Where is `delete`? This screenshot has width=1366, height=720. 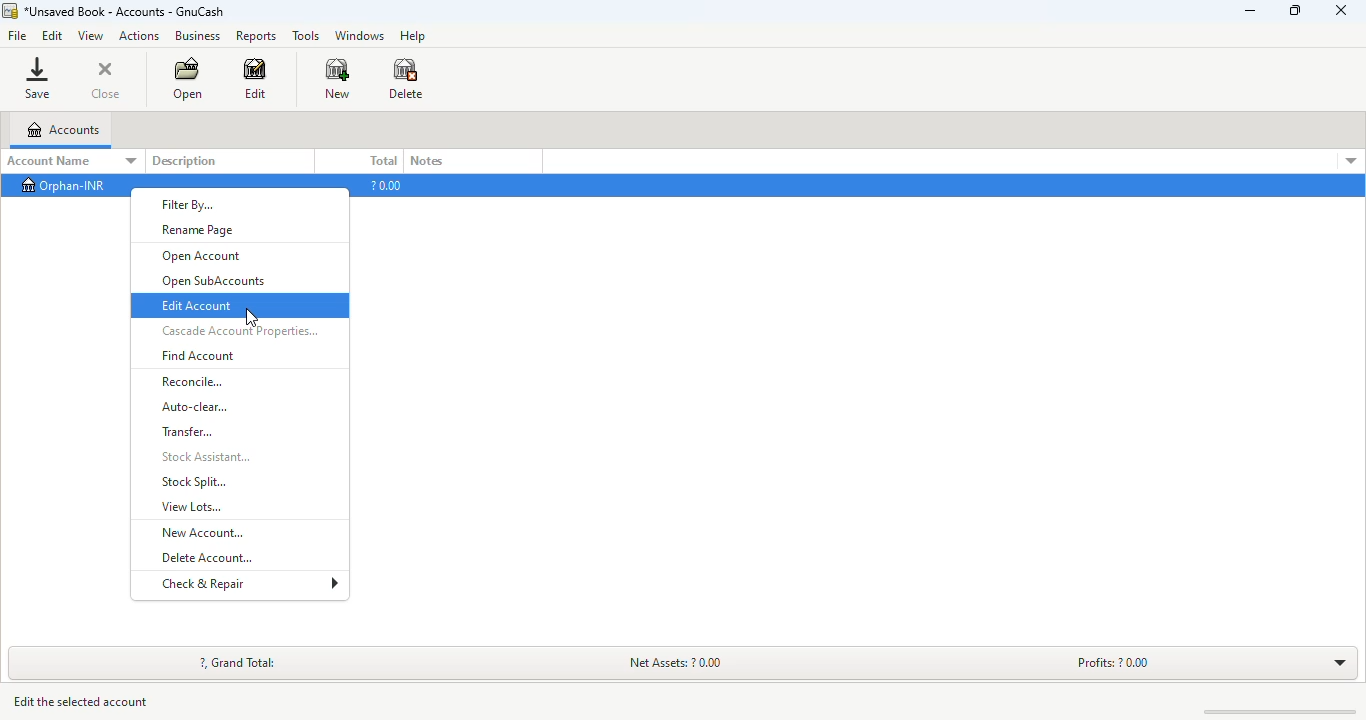 delete is located at coordinates (406, 78).